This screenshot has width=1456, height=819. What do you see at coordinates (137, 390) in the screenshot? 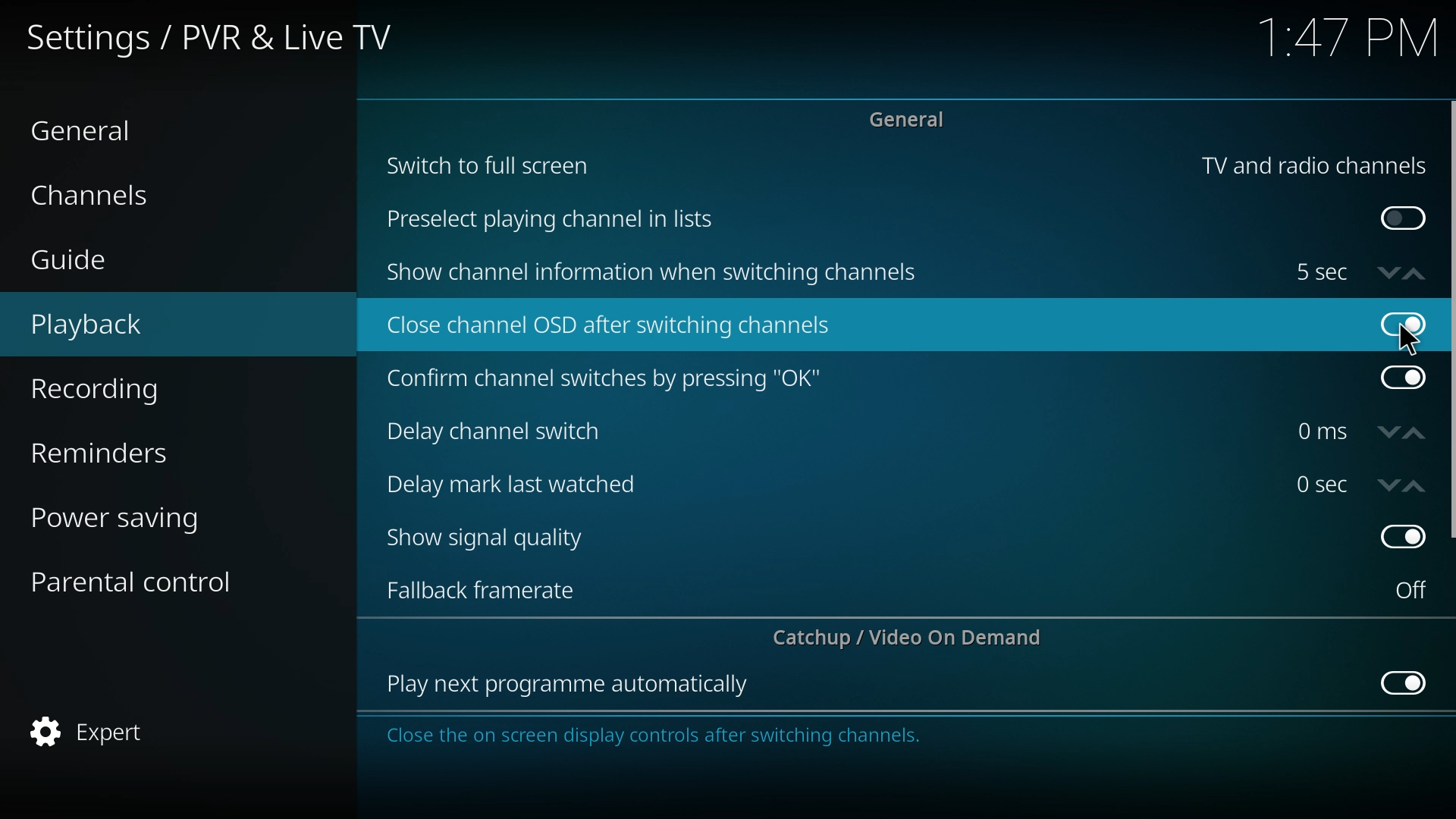
I see `recording` at bounding box center [137, 390].